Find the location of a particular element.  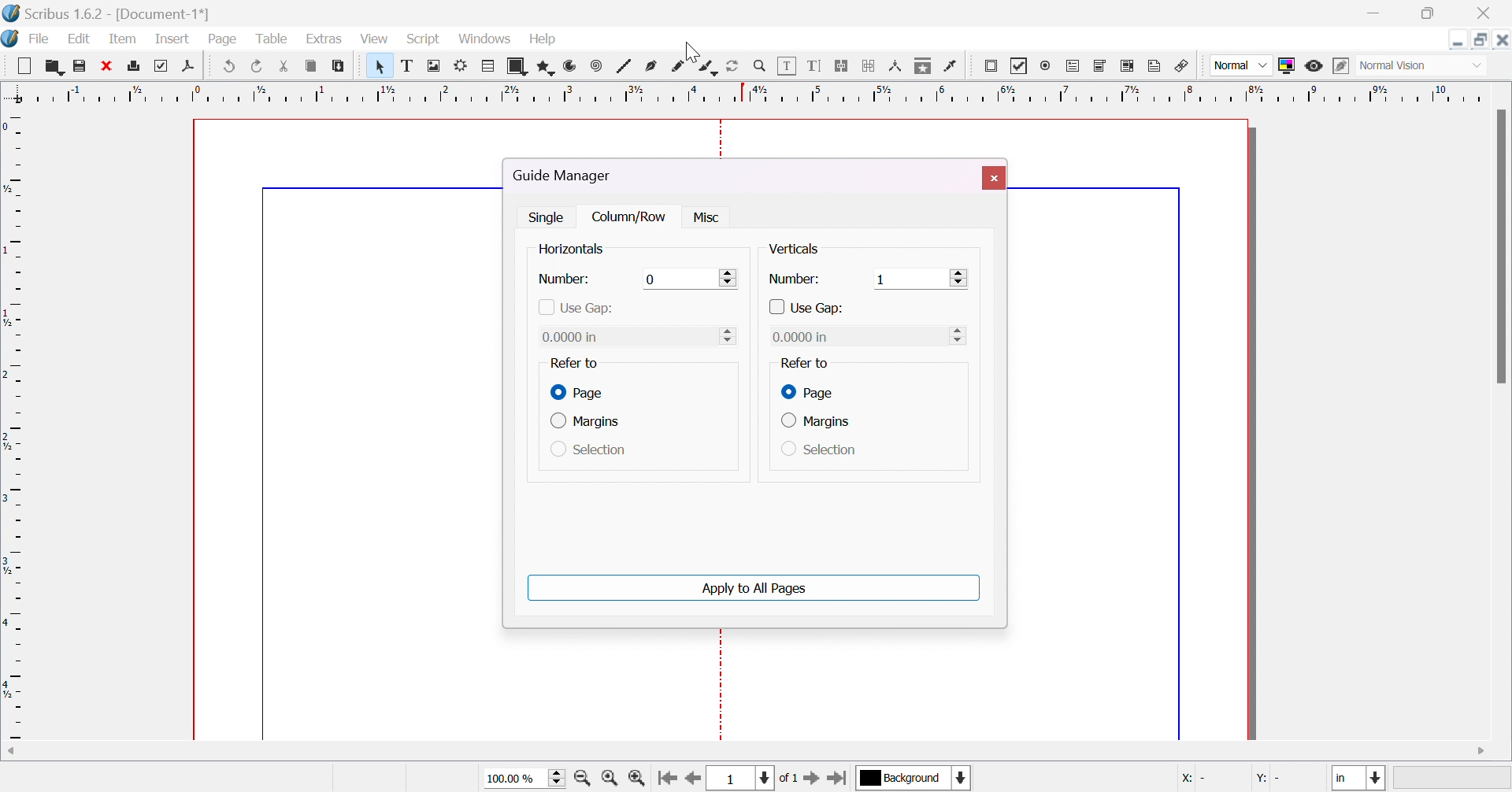

undo is located at coordinates (232, 64).